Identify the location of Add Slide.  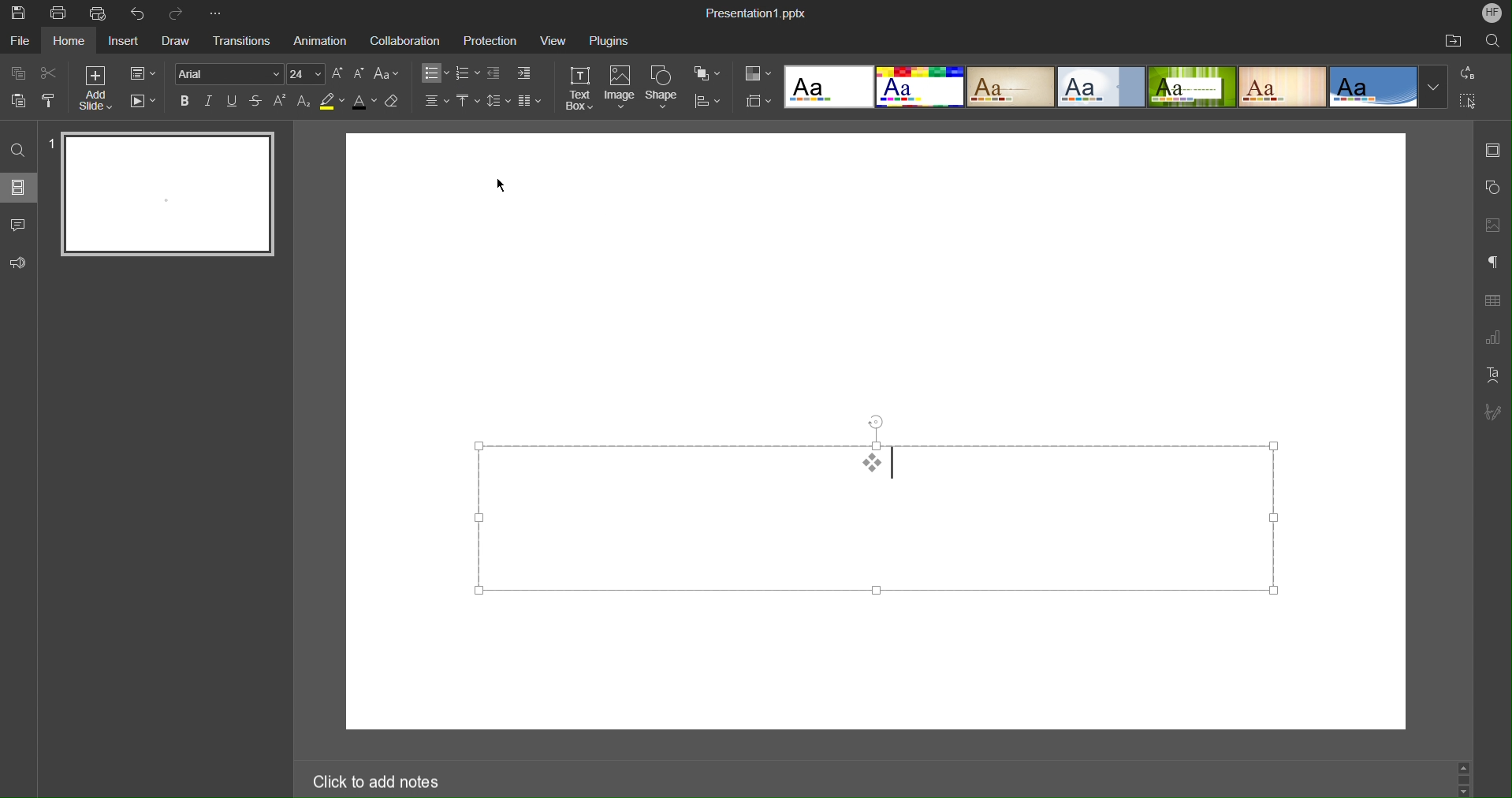
(95, 87).